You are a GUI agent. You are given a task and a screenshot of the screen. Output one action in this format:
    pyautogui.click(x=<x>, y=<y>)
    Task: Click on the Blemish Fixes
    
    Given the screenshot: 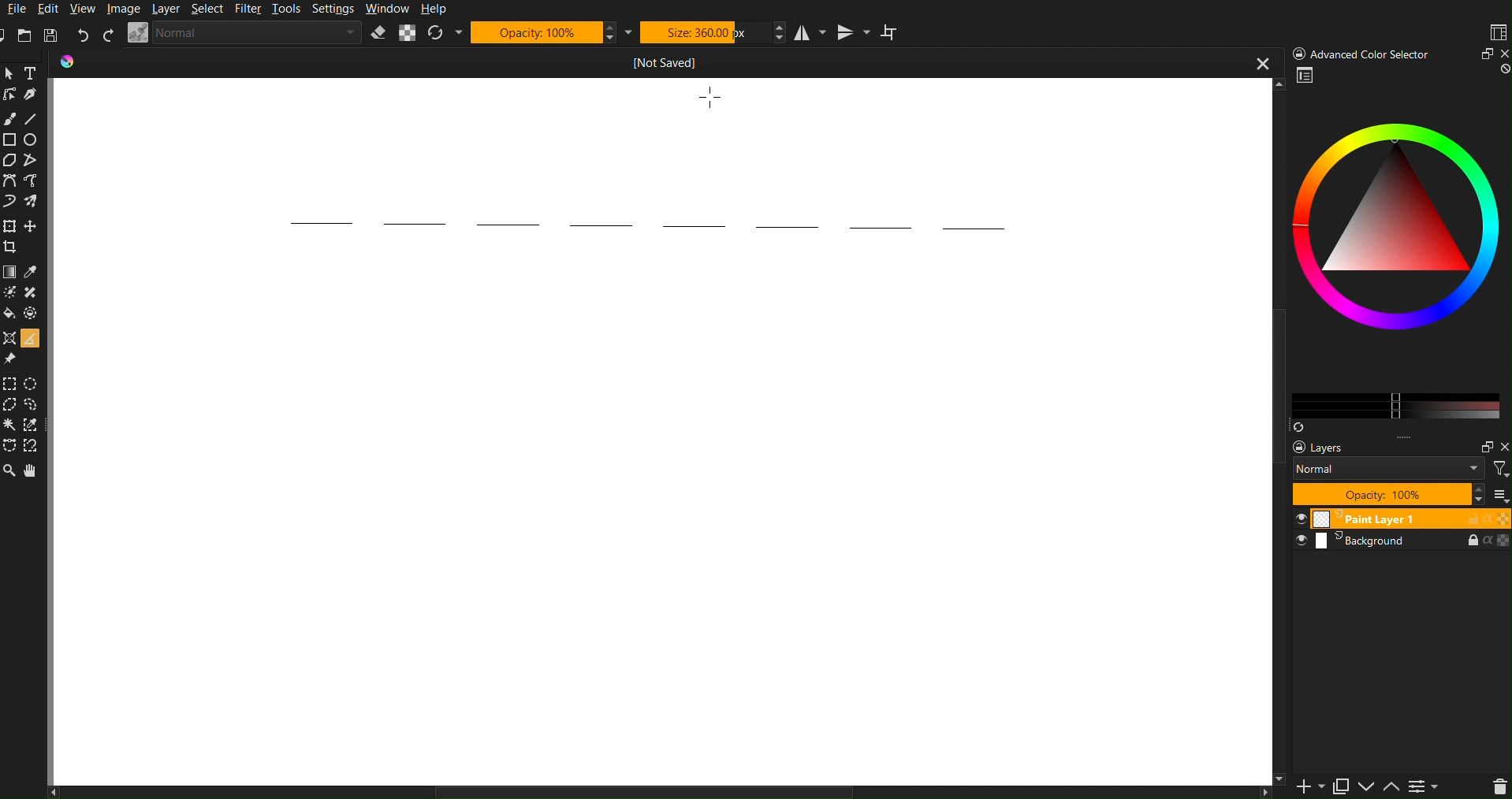 What is the action you would take?
    pyautogui.click(x=33, y=294)
    